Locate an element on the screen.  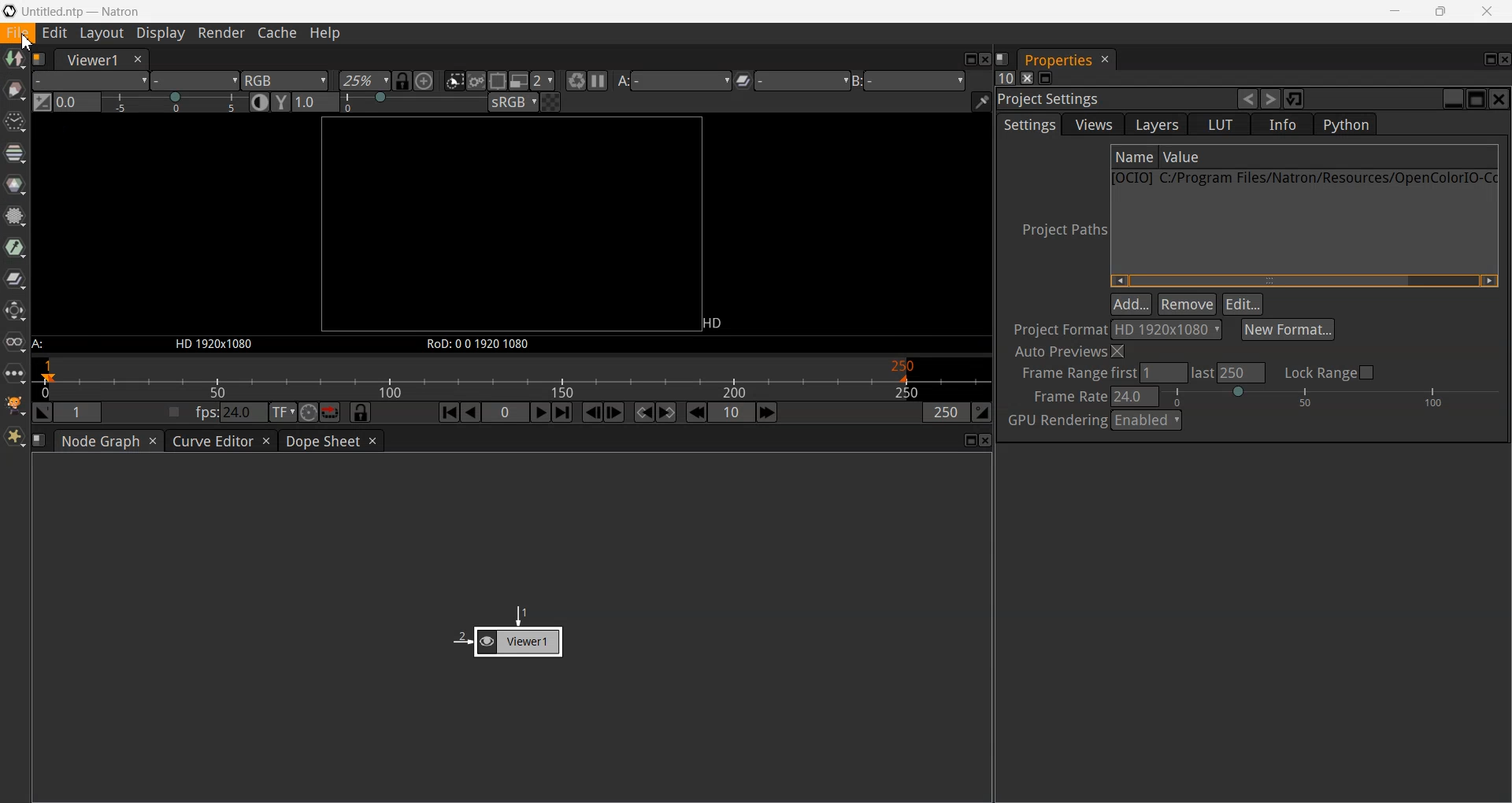
Hide/Show Information bar is located at coordinates (981, 102).